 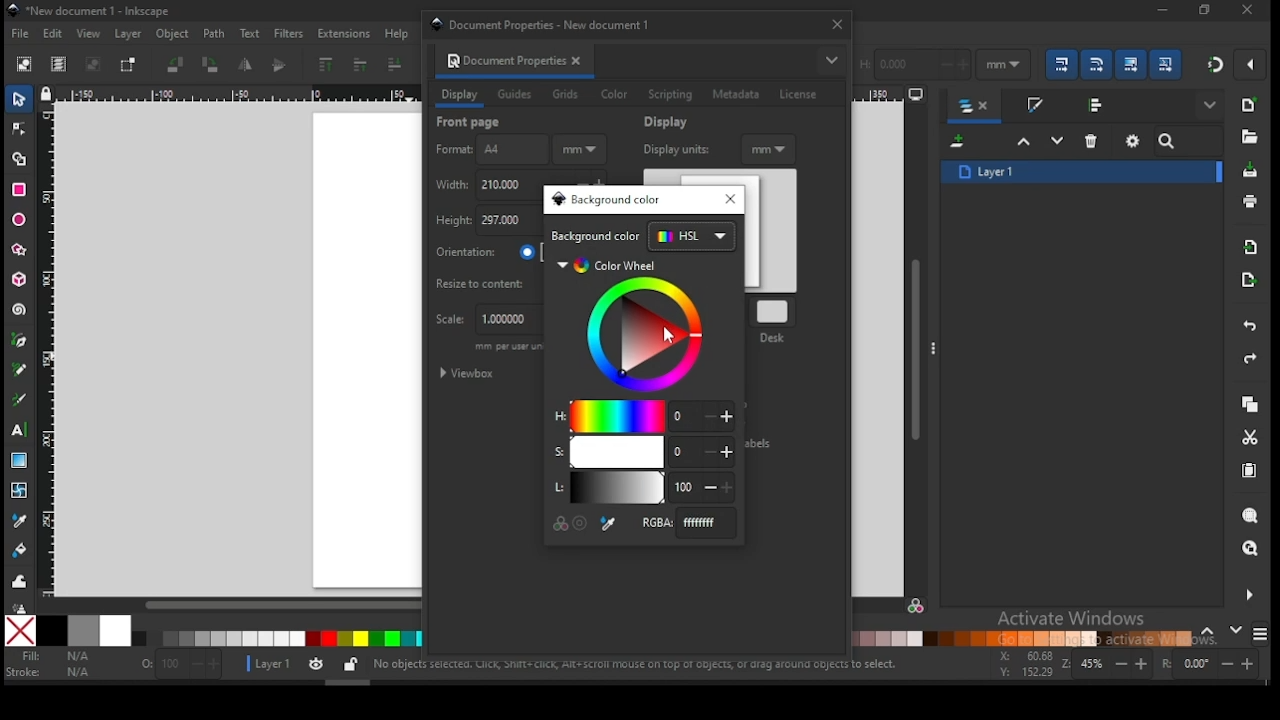 I want to click on black, so click(x=52, y=631).